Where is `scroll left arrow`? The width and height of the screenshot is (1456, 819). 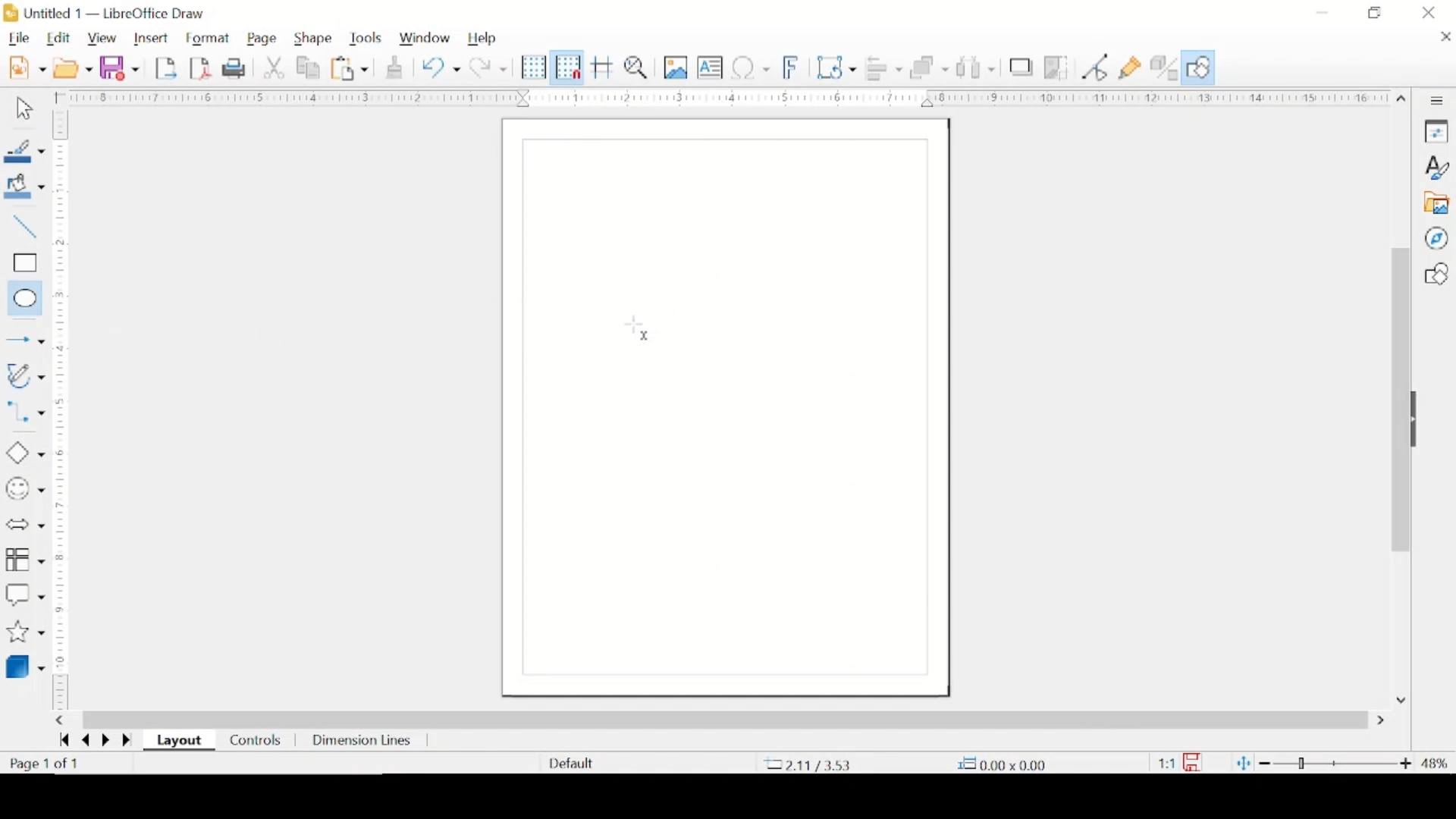 scroll left arrow is located at coordinates (63, 721).